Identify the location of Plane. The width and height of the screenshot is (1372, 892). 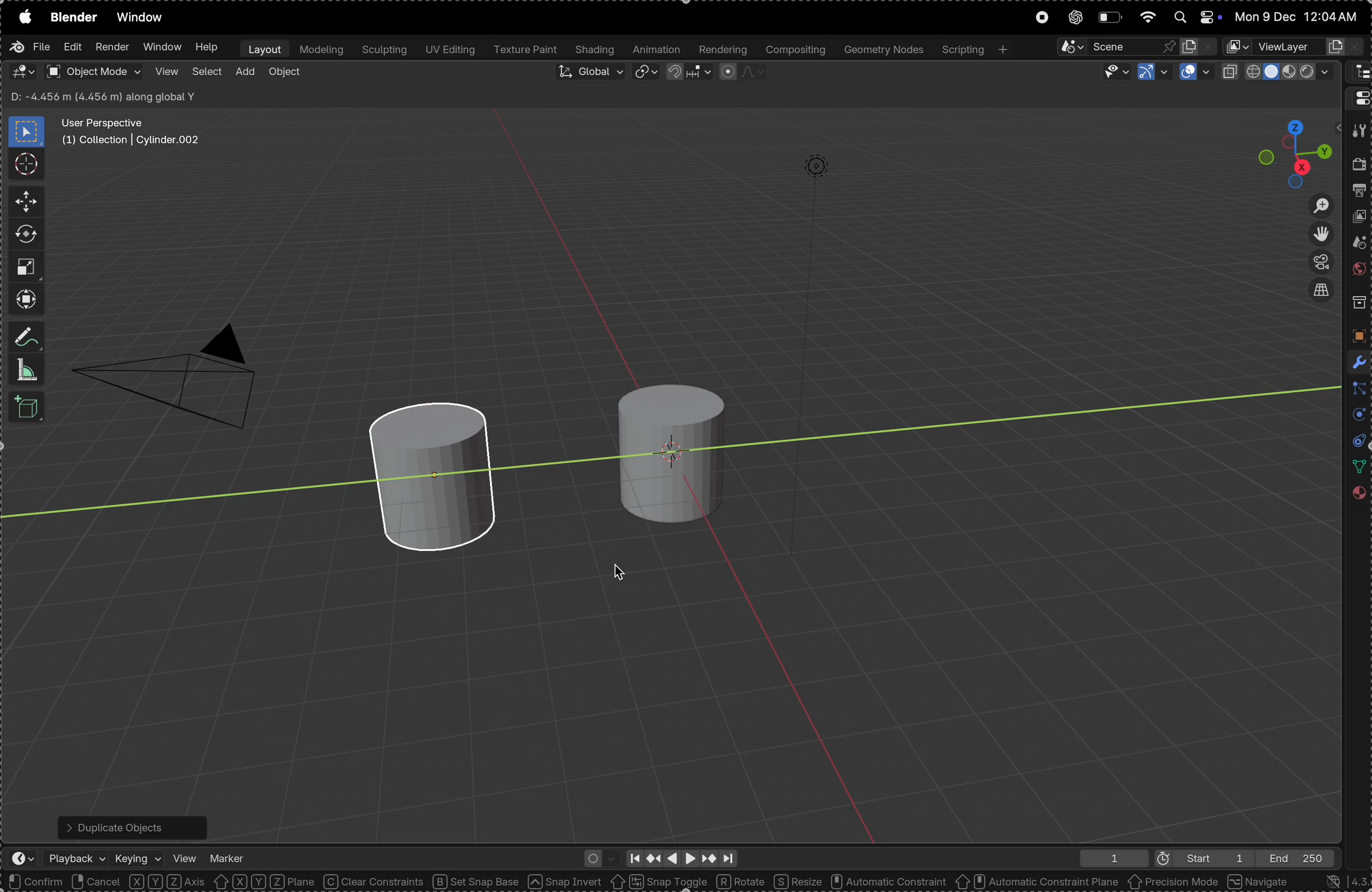
(294, 882).